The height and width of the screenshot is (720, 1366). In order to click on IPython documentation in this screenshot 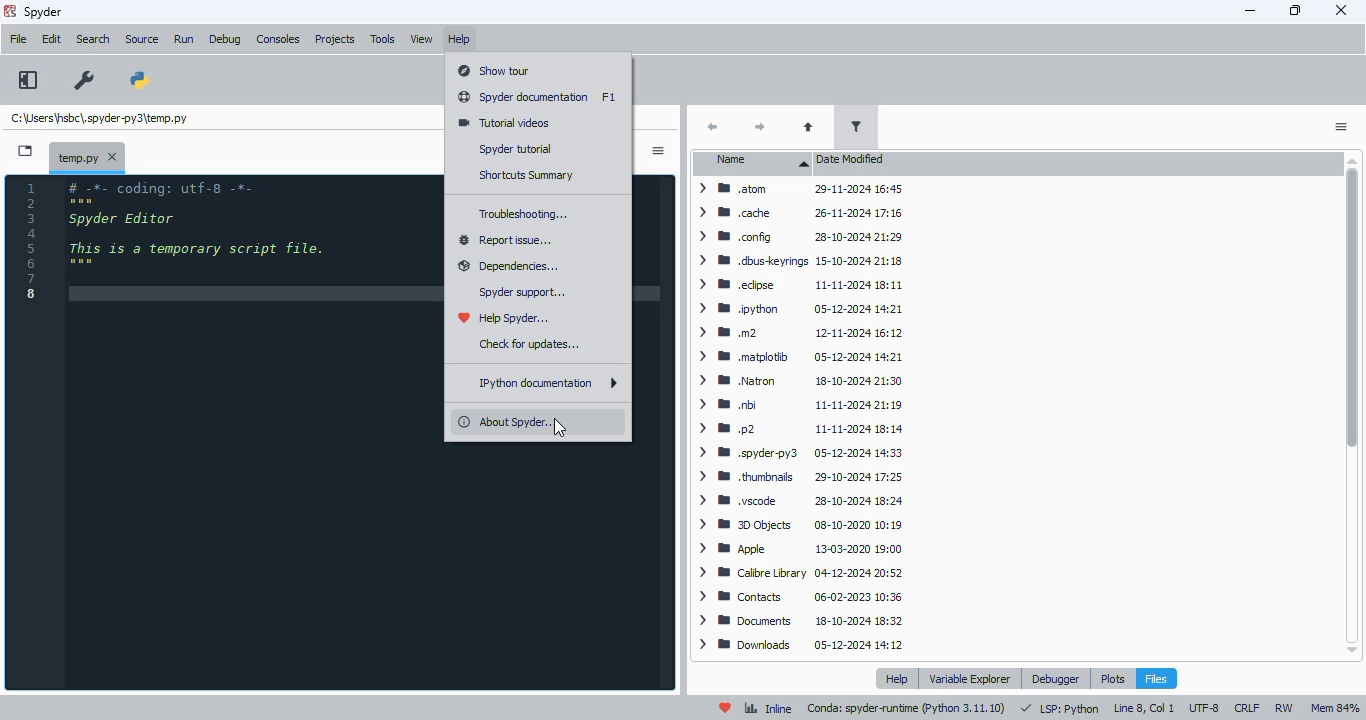, I will do `click(546, 382)`.